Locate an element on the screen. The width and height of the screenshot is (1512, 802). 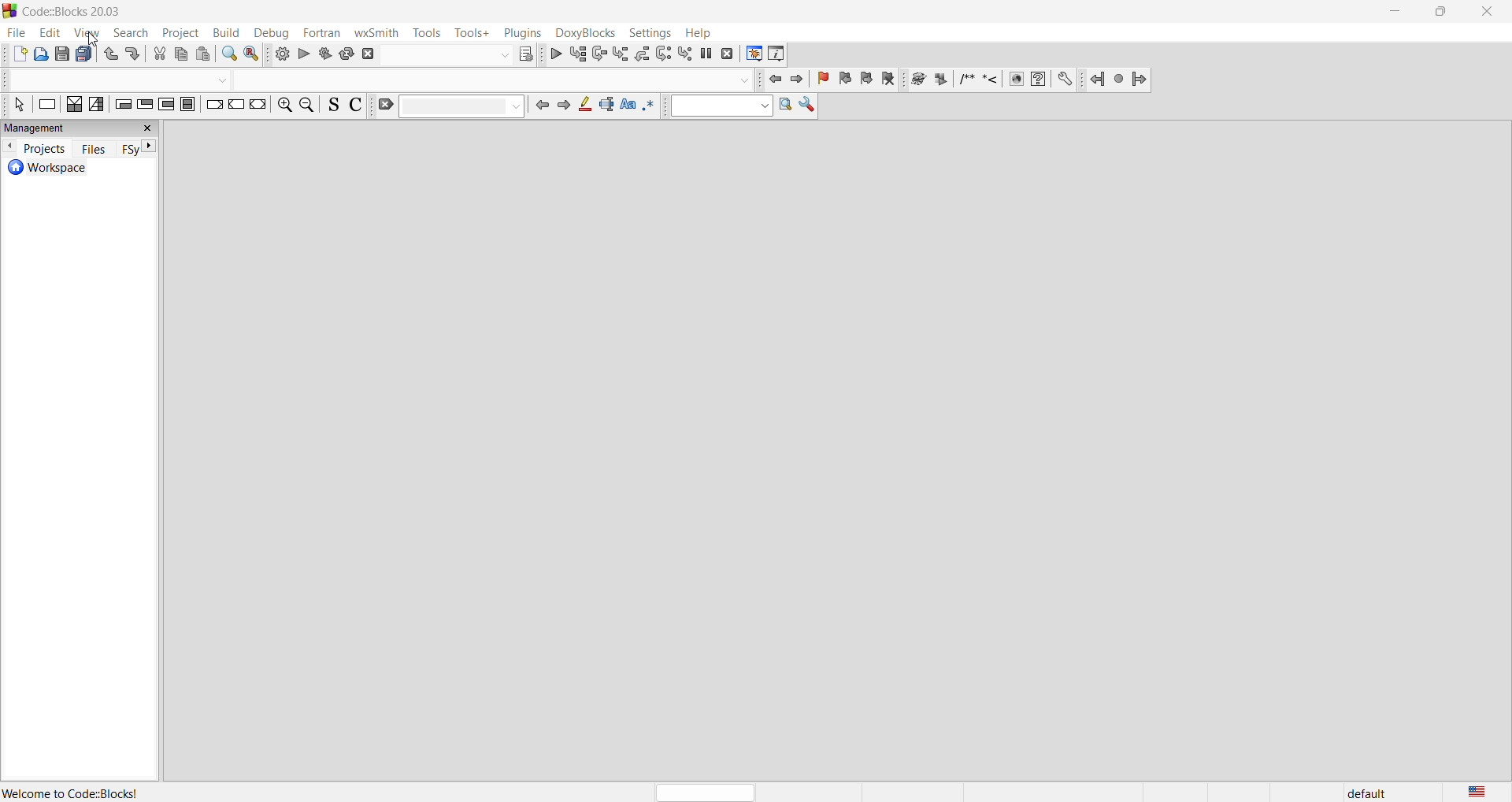
files is located at coordinates (95, 148).